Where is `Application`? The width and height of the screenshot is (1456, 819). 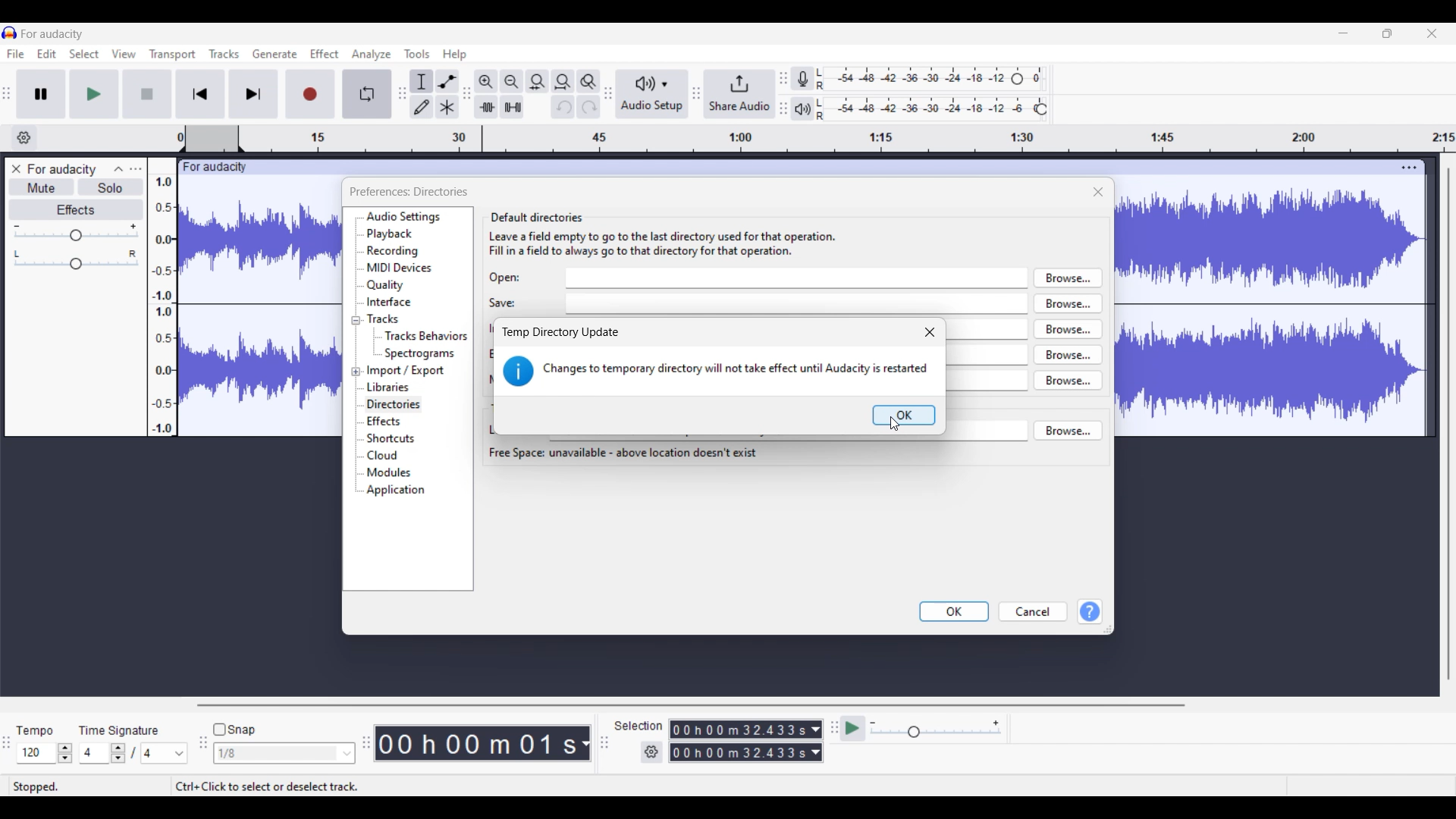
Application is located at coordinates (395, 491).